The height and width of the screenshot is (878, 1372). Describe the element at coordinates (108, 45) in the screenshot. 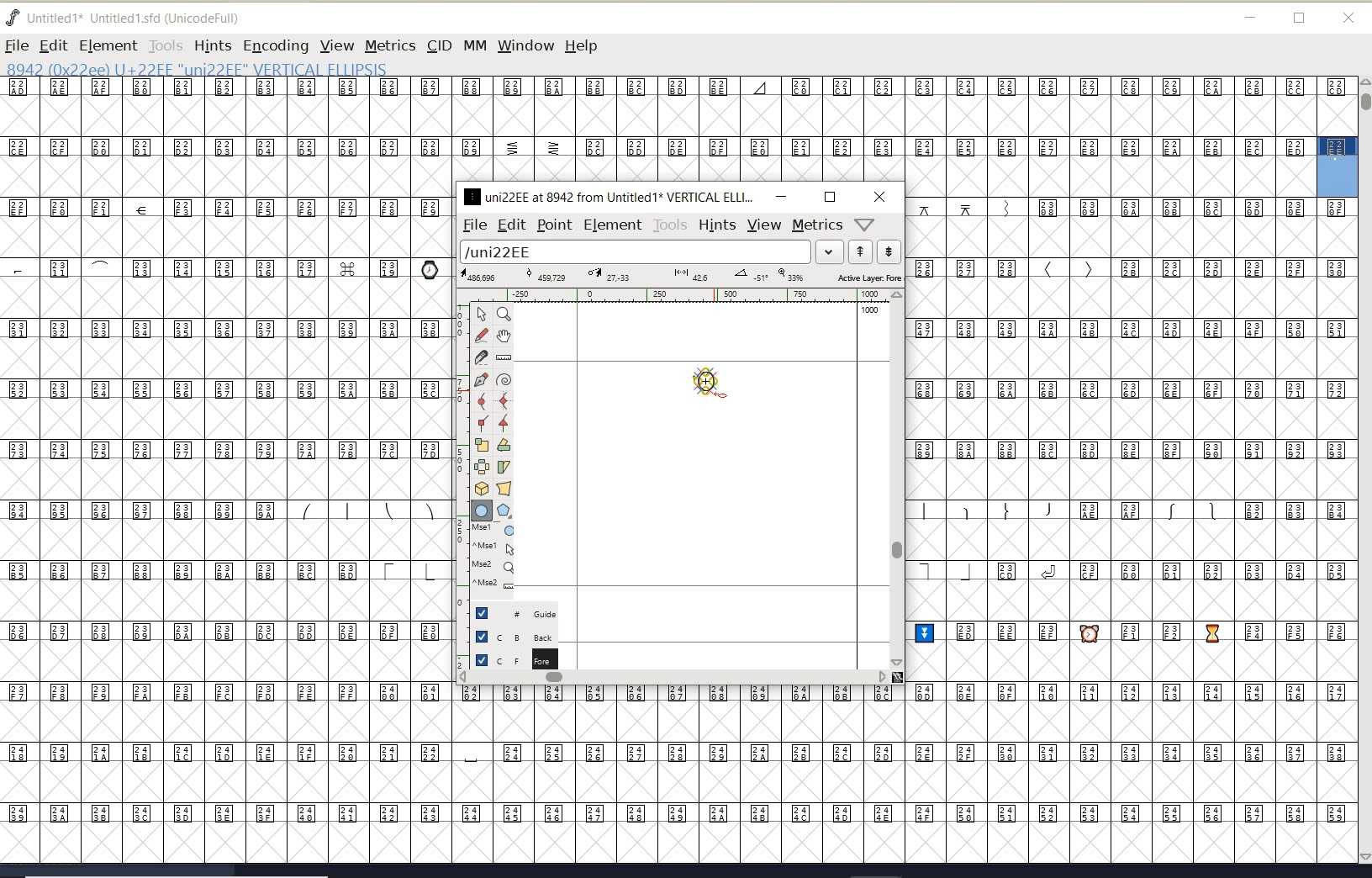

I see `ELEMENT` at that location.